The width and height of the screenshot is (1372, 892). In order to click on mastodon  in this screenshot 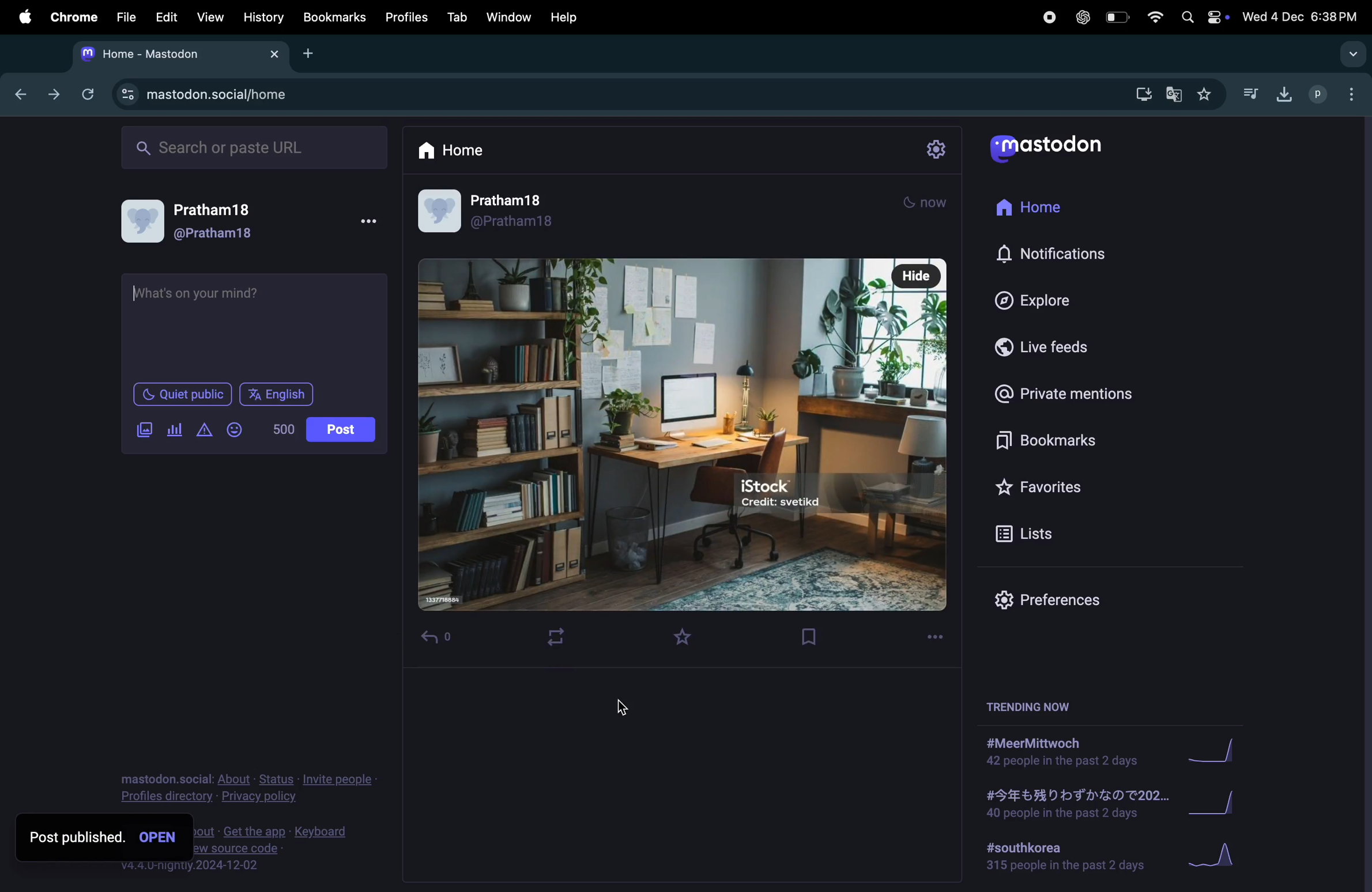, I will do `click(1056, 146)`.